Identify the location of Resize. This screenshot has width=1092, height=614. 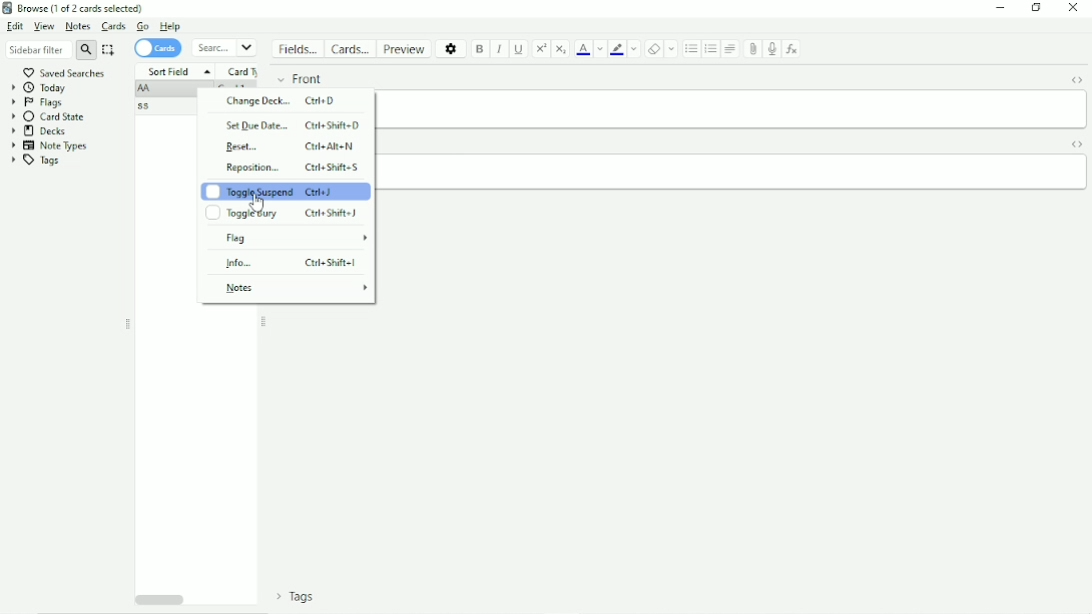
(265, 323).